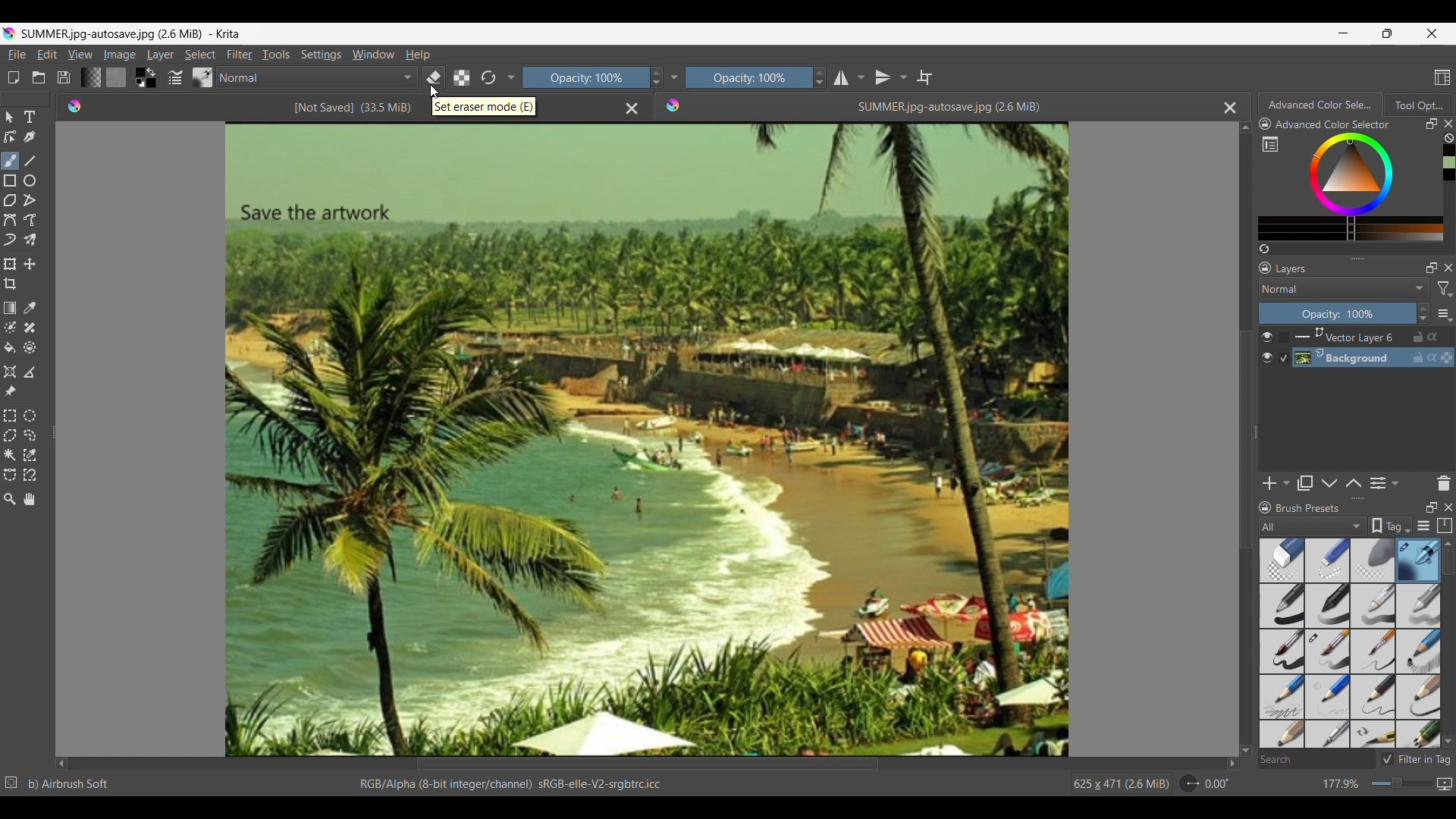 Image resolution: width=1456 pixels, height=819 pixels. What do you see at coordinates (436, 92) in the screenshot?
I see `cursor` at bounding box center [436, 92].